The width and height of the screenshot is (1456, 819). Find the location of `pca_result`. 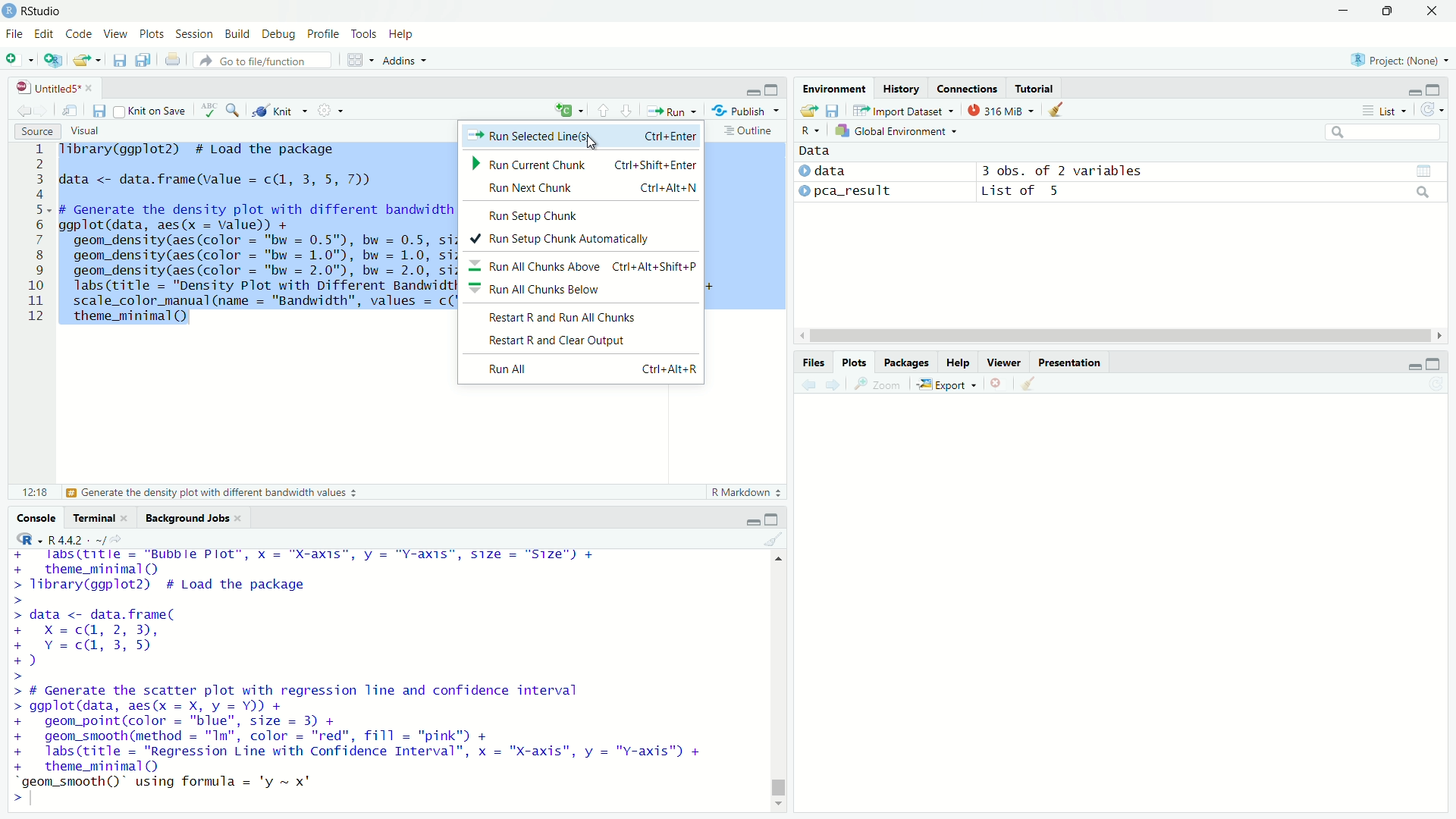

pca_result is located at coordinates (854, 192).